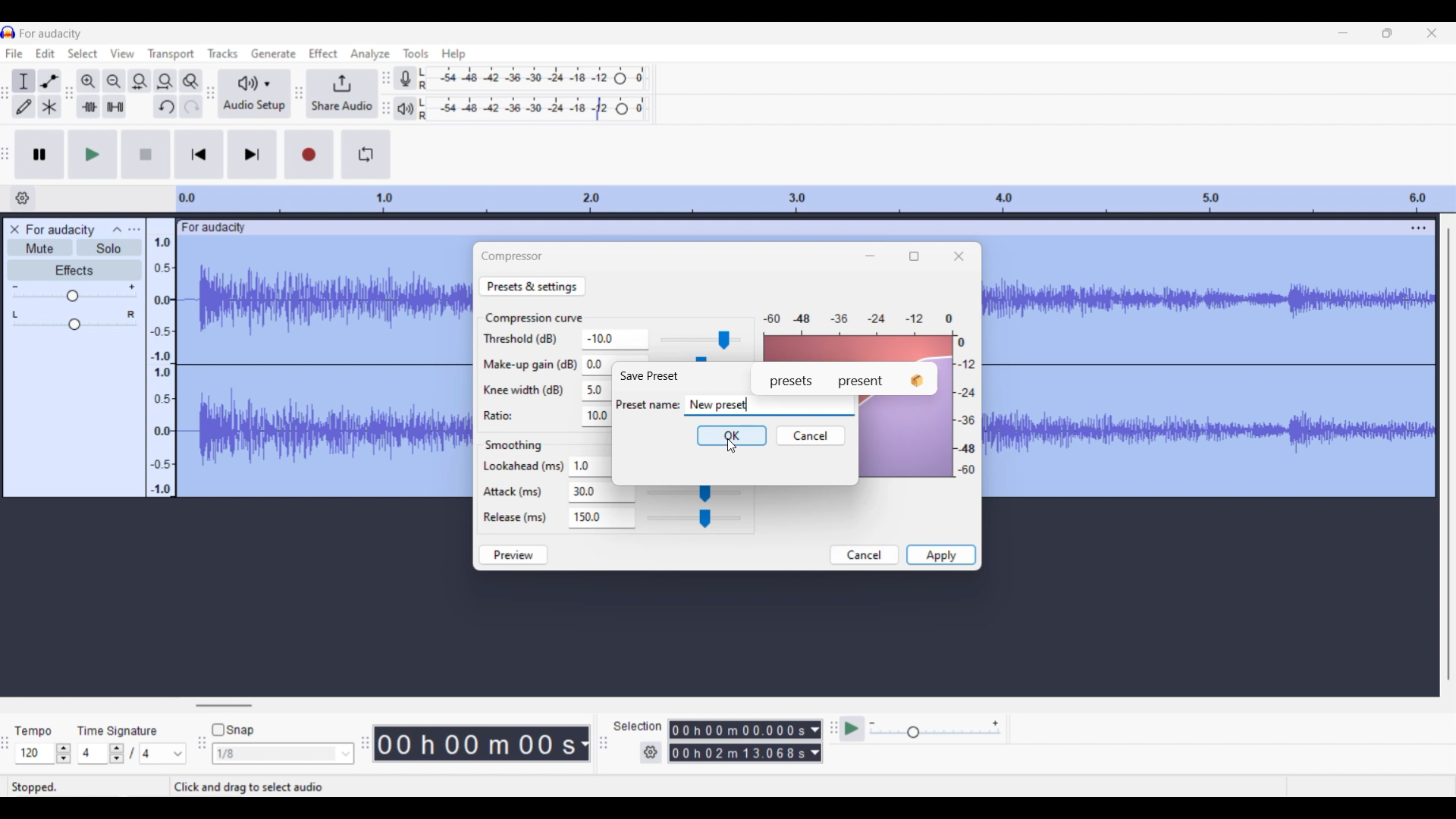  I want to click on Close, so click(959, 256).